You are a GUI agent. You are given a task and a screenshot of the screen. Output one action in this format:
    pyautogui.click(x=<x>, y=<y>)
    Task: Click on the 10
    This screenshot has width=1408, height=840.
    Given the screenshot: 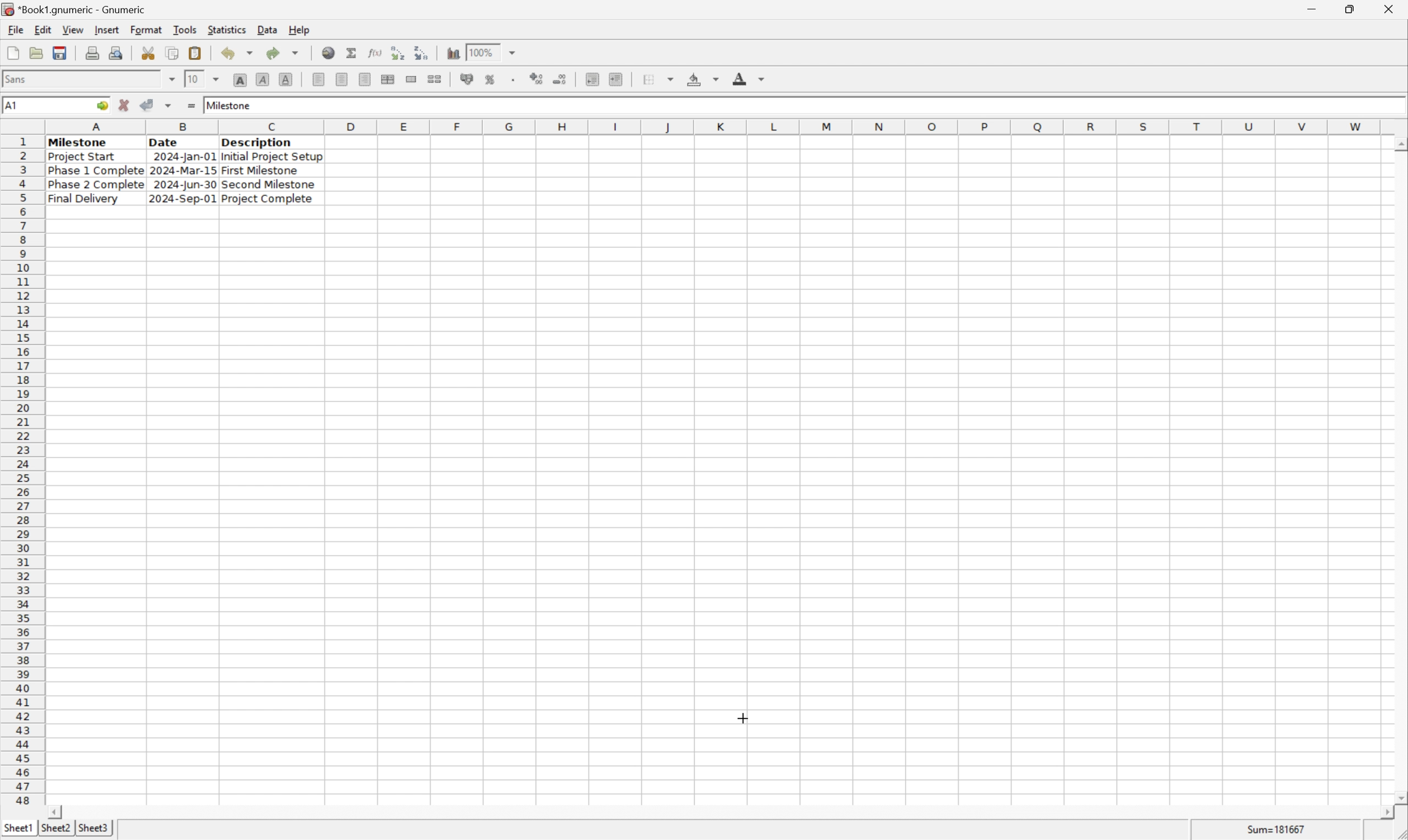 What is the action you would take?
    pyautogui.click(x=192, y=79)
    